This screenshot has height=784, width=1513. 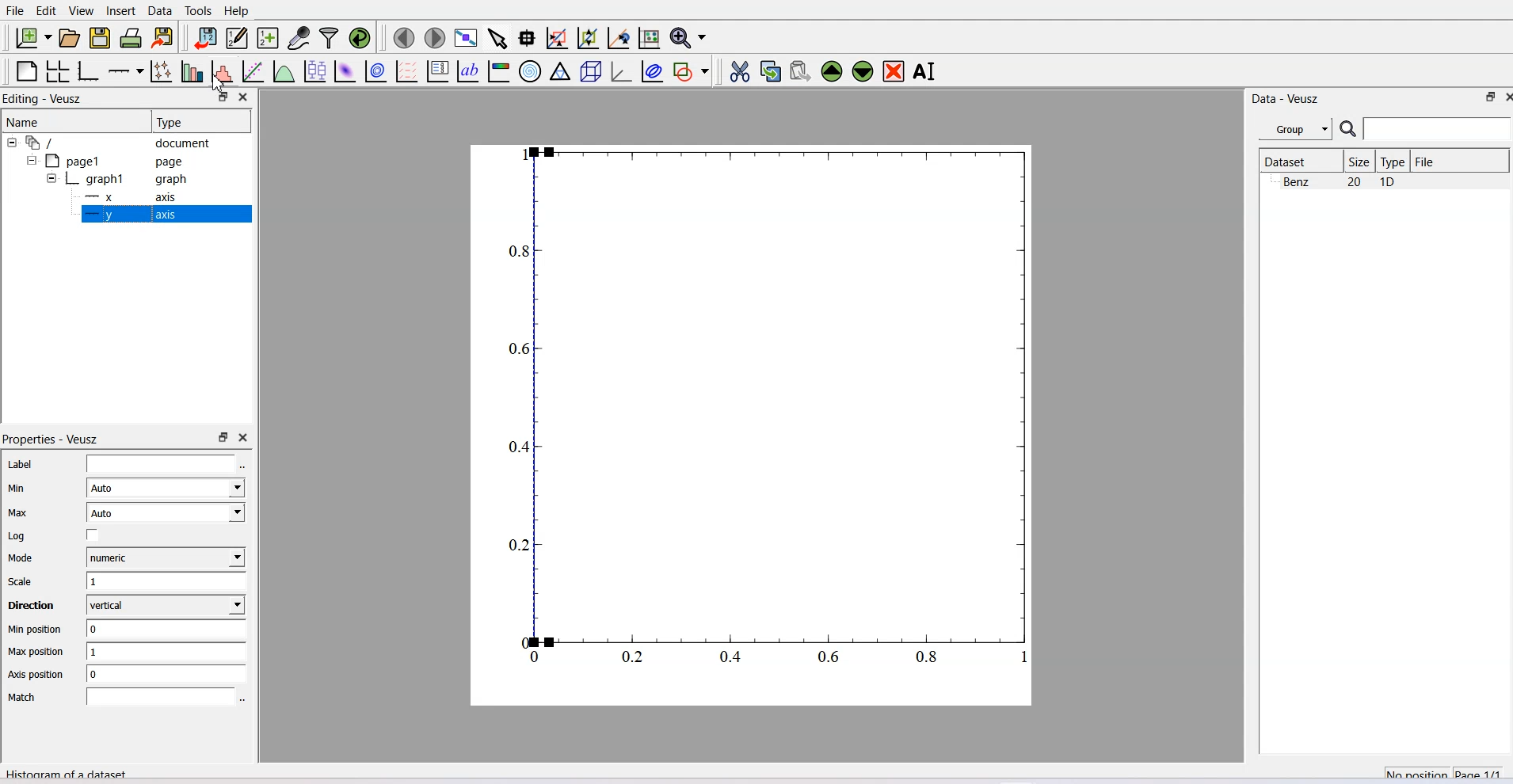 What do you see at coordinates (48, 178) in the screenshot?
I see `Collapse` at bounding box center [48, 178].